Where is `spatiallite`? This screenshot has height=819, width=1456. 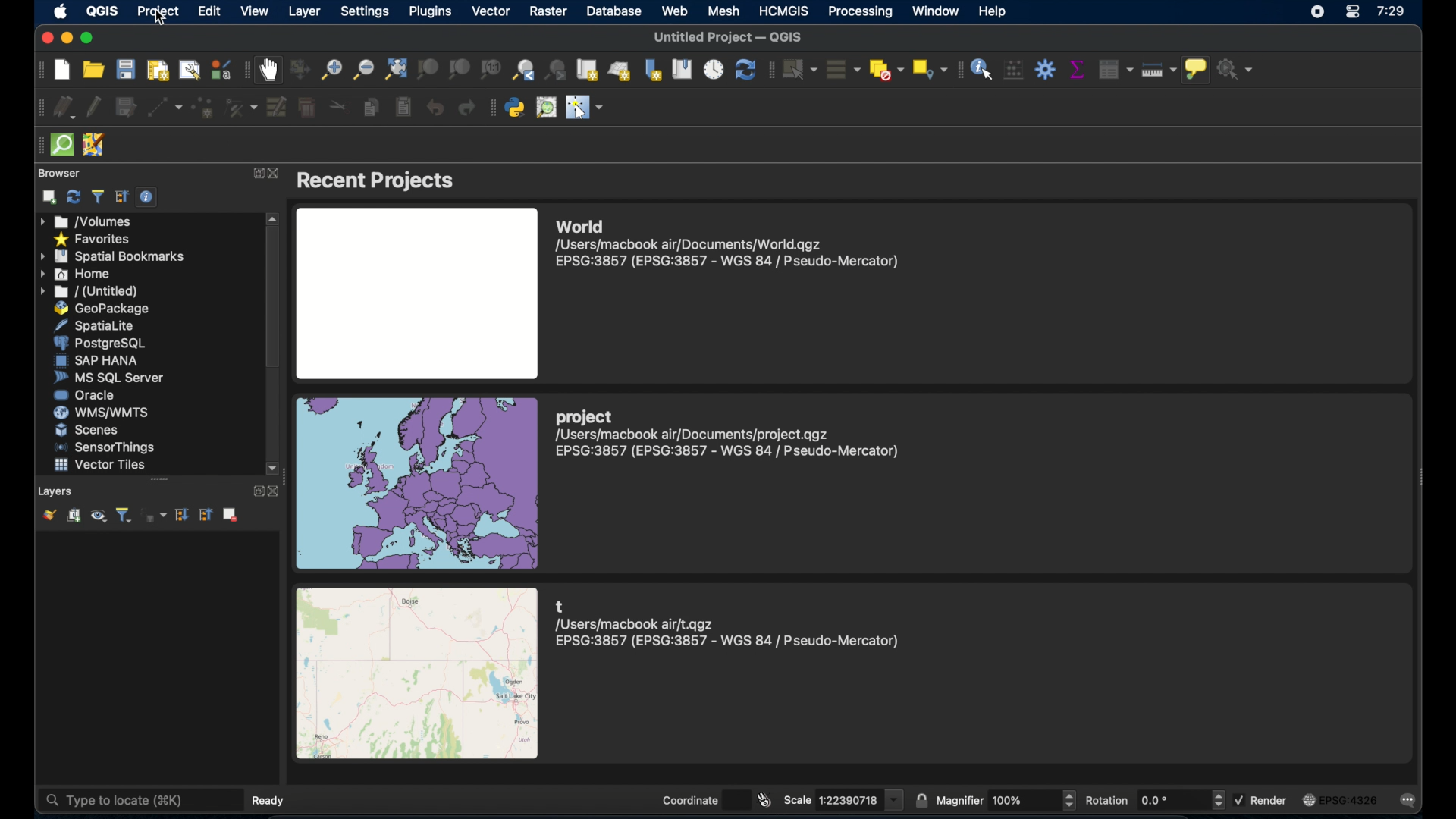 spatiallite is located at coordinates (101, 325).